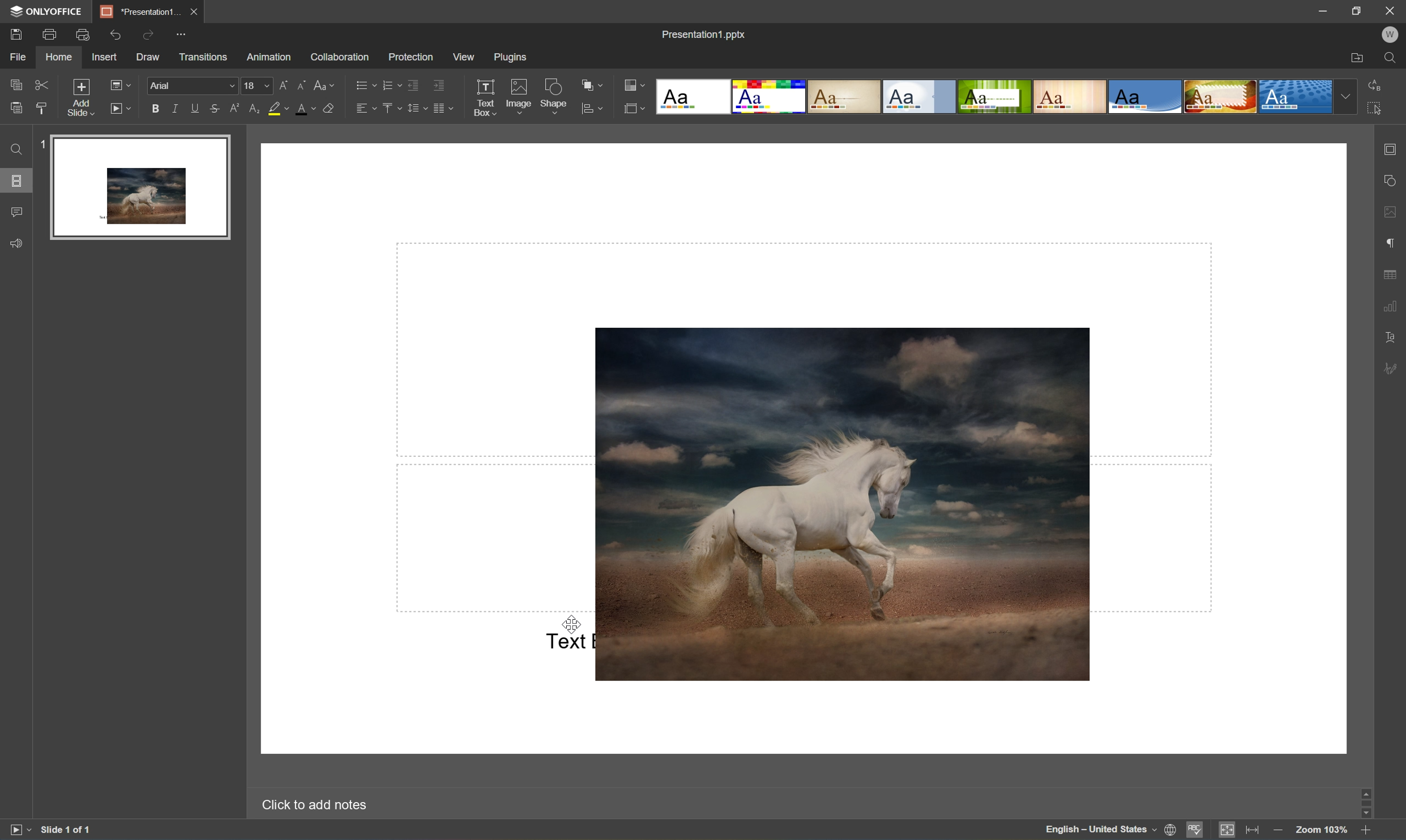  I want to click on Cut, so click(42, 84).